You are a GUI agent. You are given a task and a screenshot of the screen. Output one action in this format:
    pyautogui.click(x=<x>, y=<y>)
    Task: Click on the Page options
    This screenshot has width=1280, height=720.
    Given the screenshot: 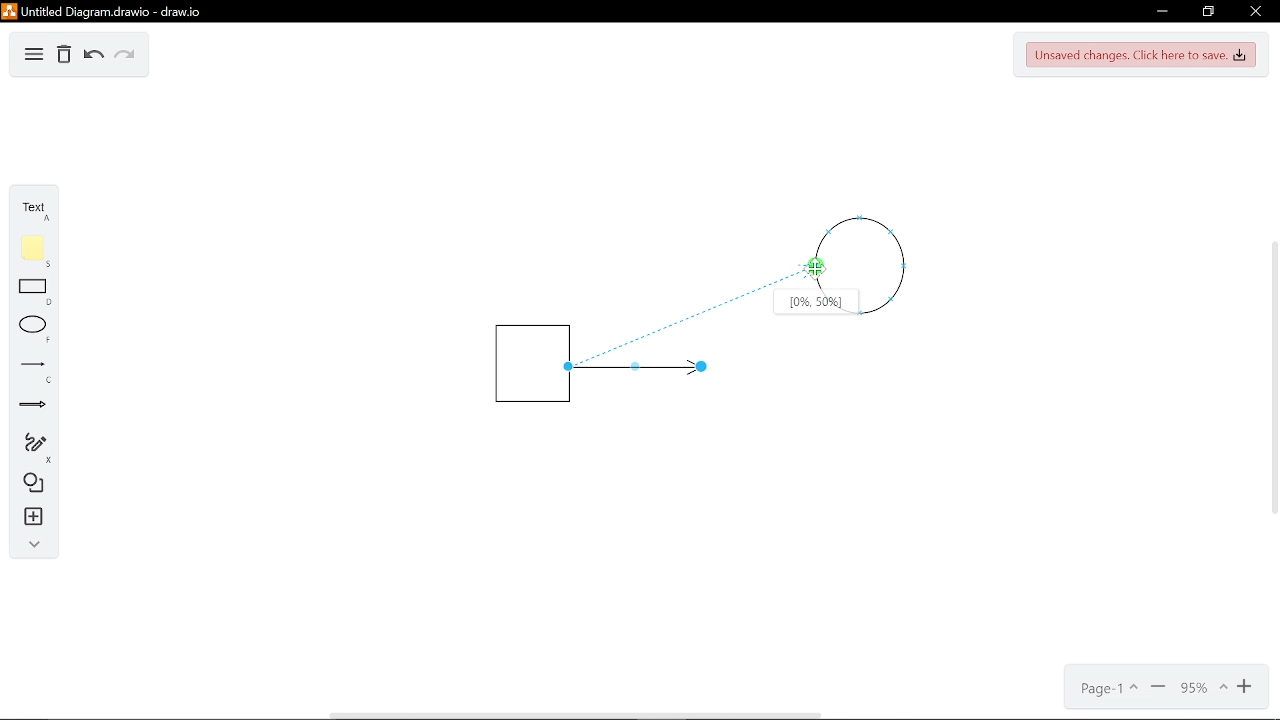 What is the action you would take?
    pyautogui.click(x=1108, y=688)
    